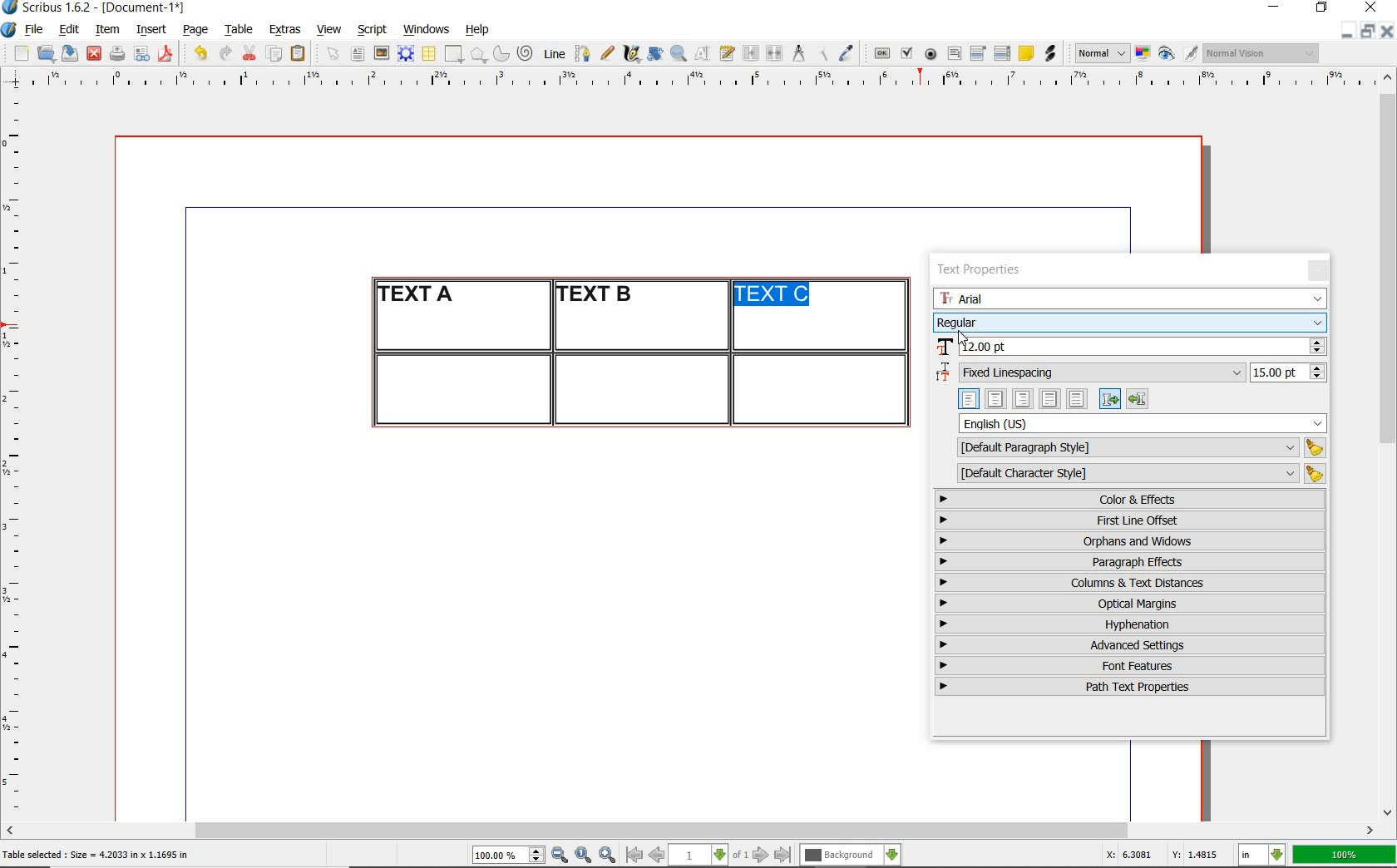 The height and width of the screenshot is (868, 1397). I want to click on calligraphic line, so click(633, 53).